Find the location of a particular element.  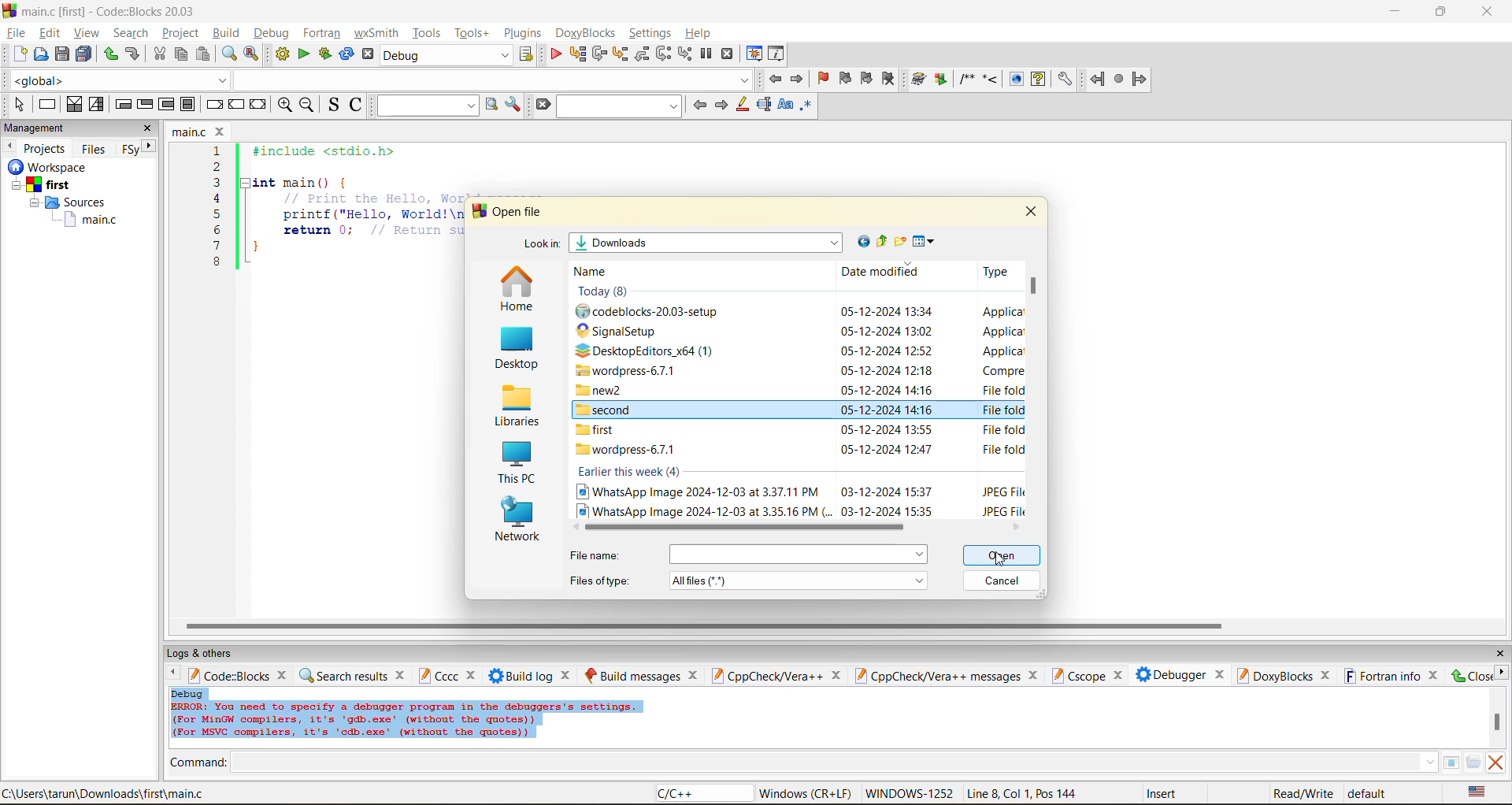

close is located at coordinates (1470, 675).